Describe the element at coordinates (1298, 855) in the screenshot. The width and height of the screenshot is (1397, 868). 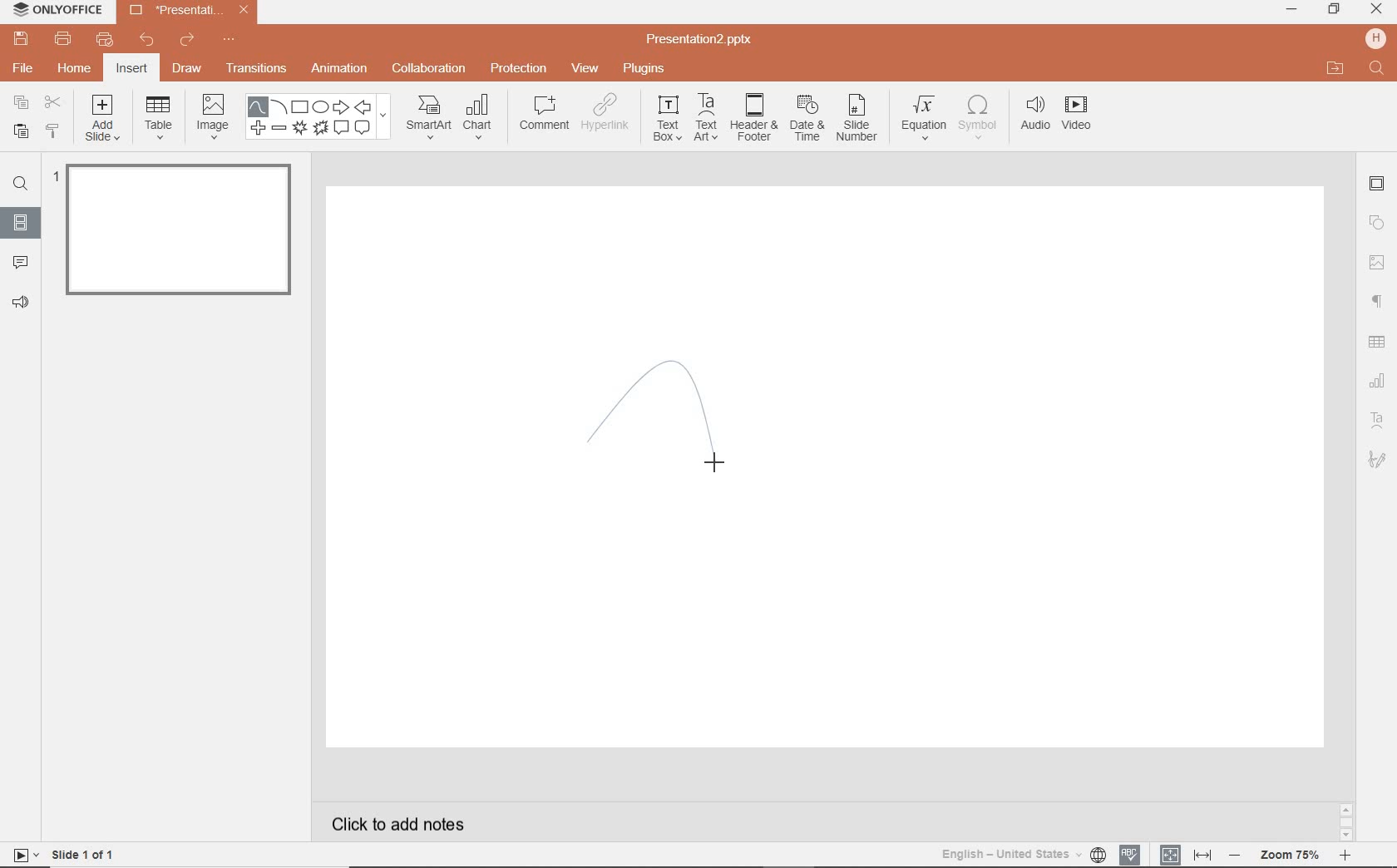
I see `ZOOM` at that location.